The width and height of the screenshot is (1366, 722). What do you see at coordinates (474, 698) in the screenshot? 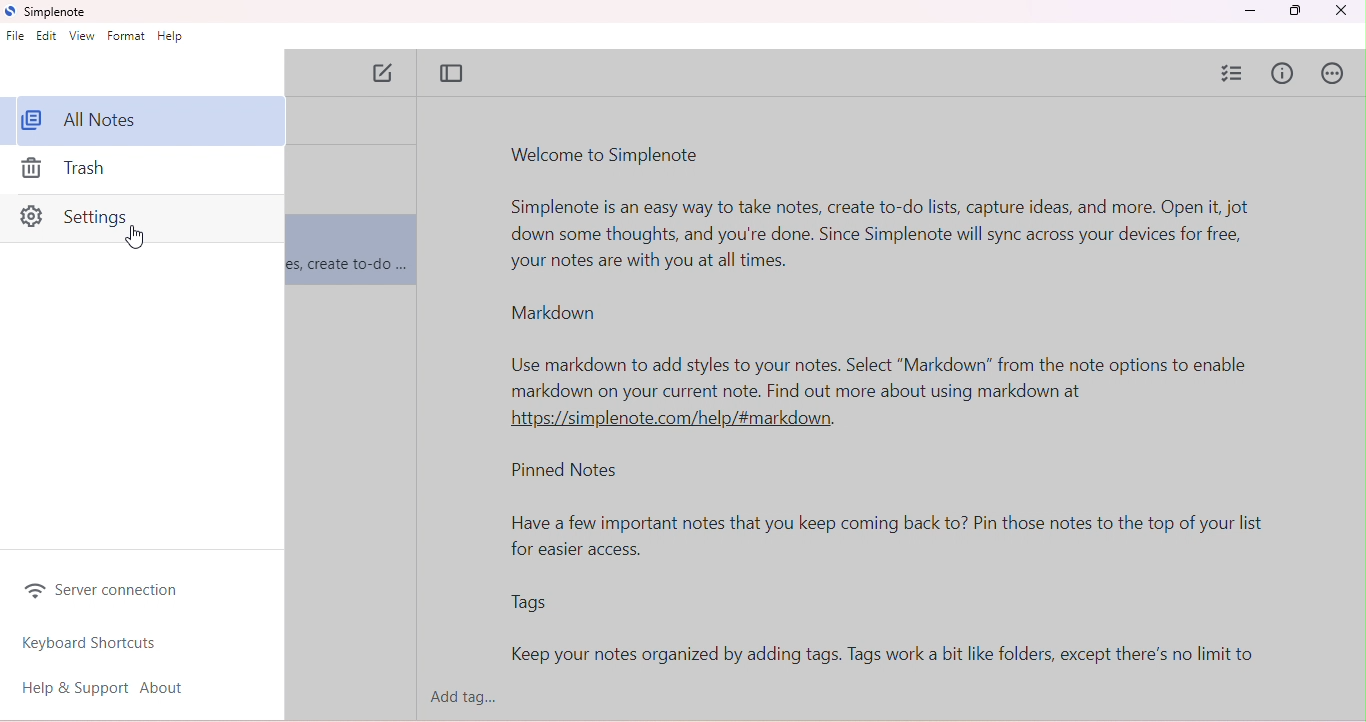
I see `add tag` at bounding box center [474, 698].